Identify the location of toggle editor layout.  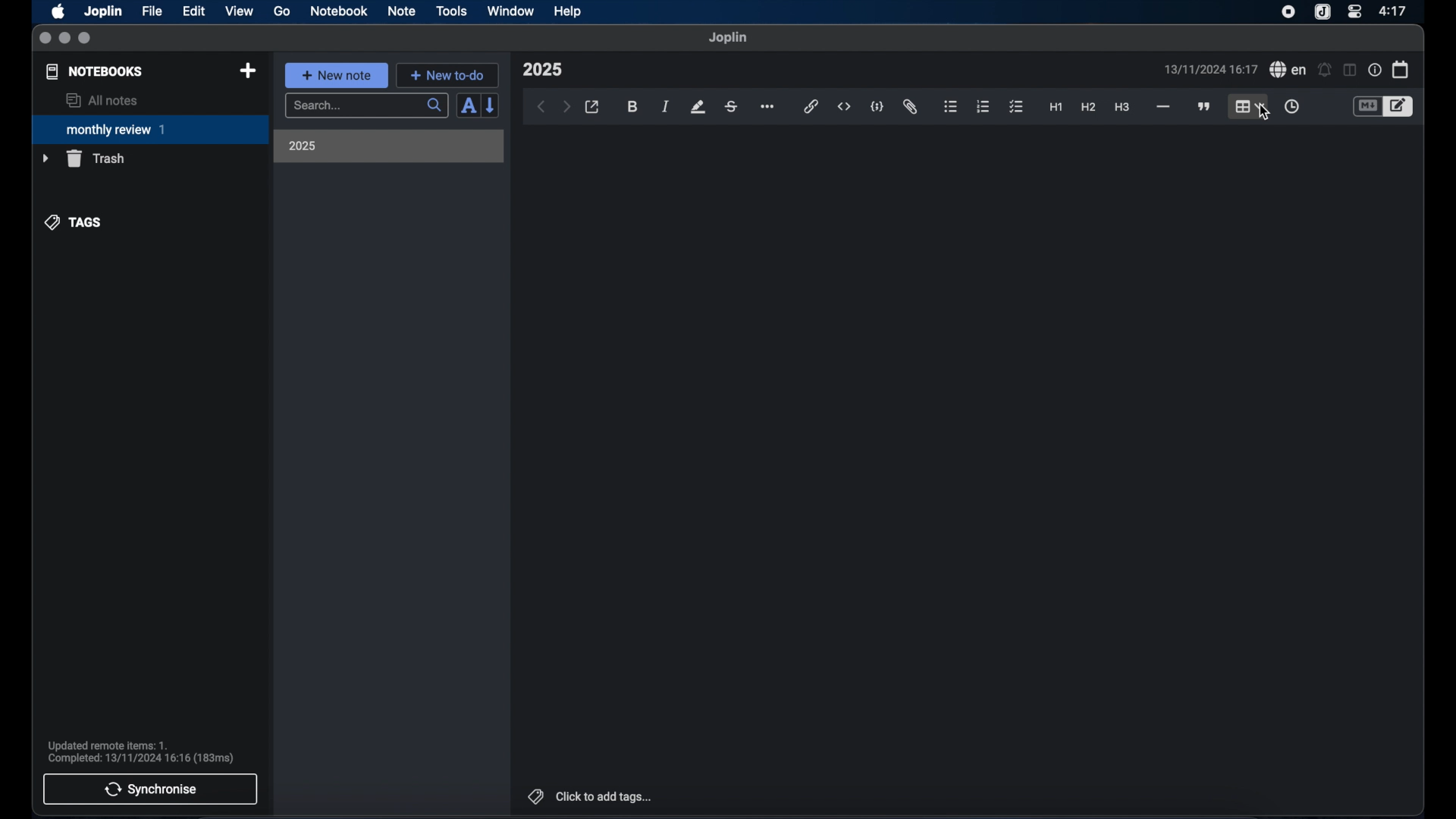
(1351, 70).